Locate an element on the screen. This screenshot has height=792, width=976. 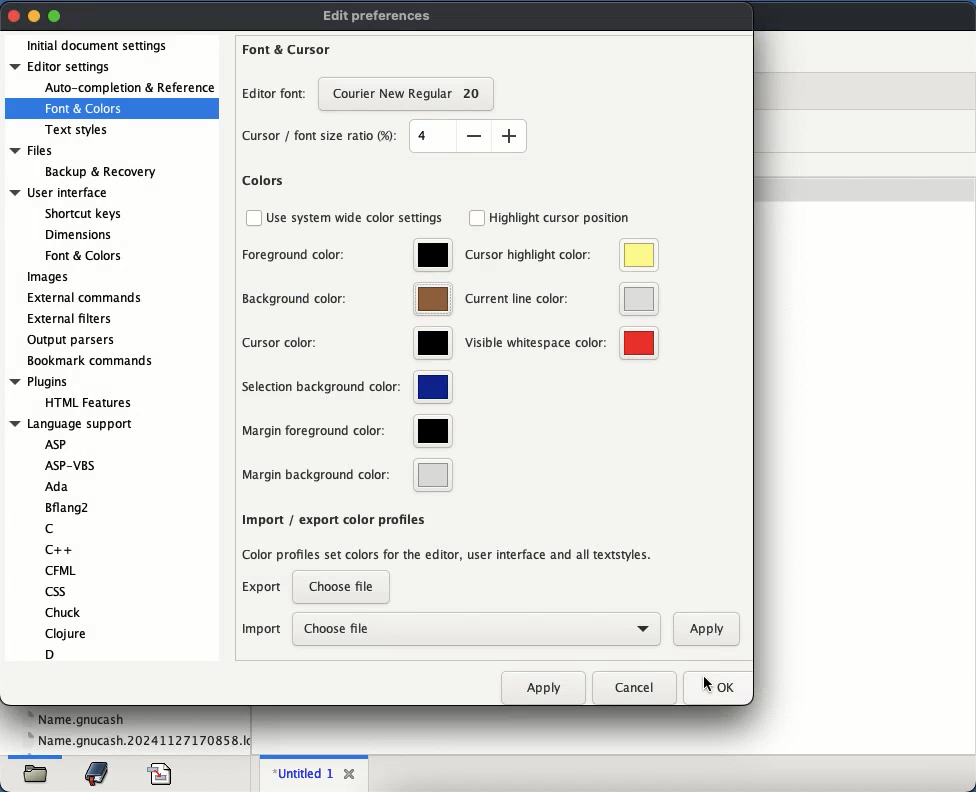
name.gnucash is located at coordinates (78, 718).